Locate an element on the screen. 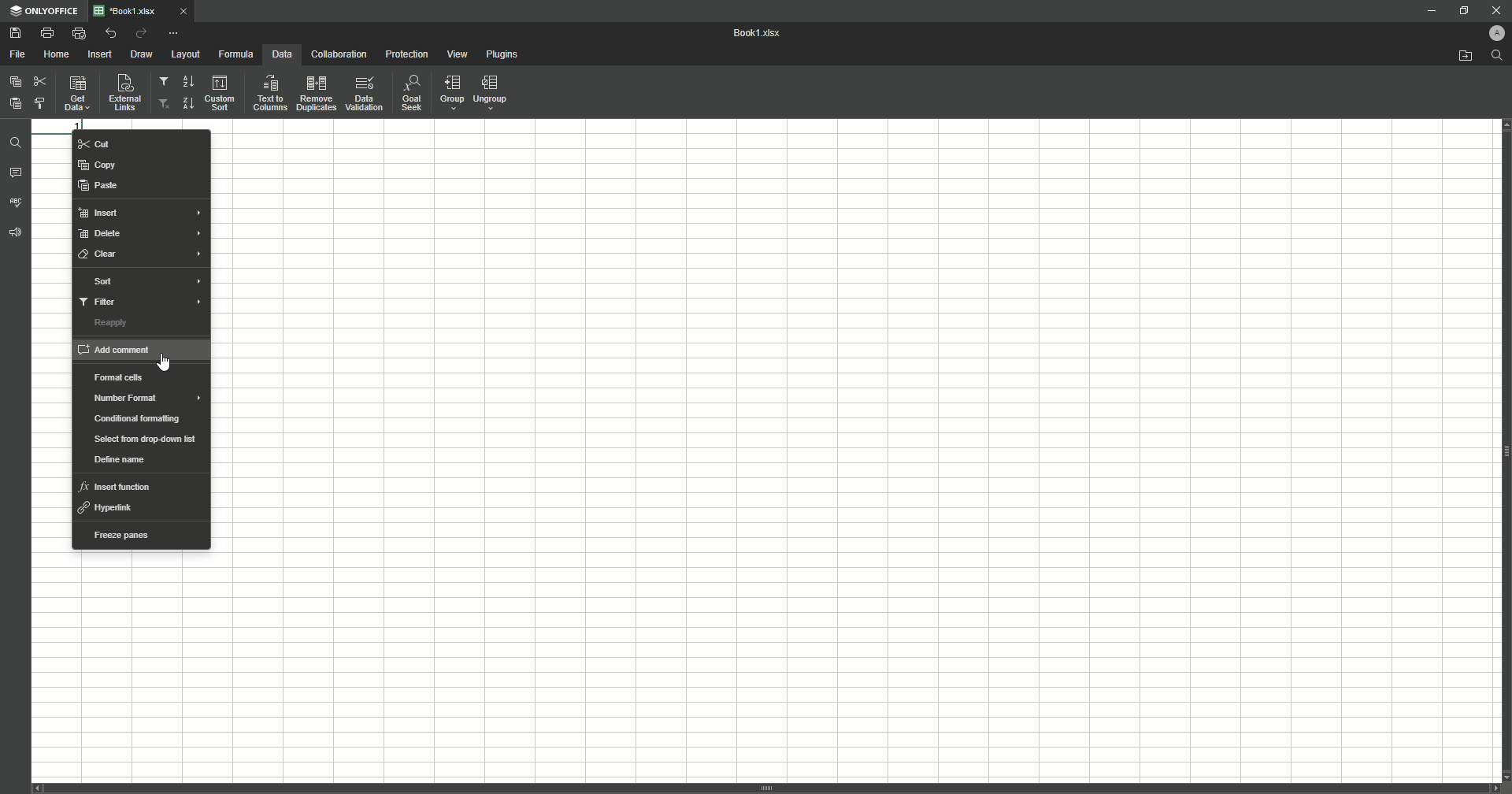 The image size is (1512, 794). Filter is located at coordinates (98, 302).